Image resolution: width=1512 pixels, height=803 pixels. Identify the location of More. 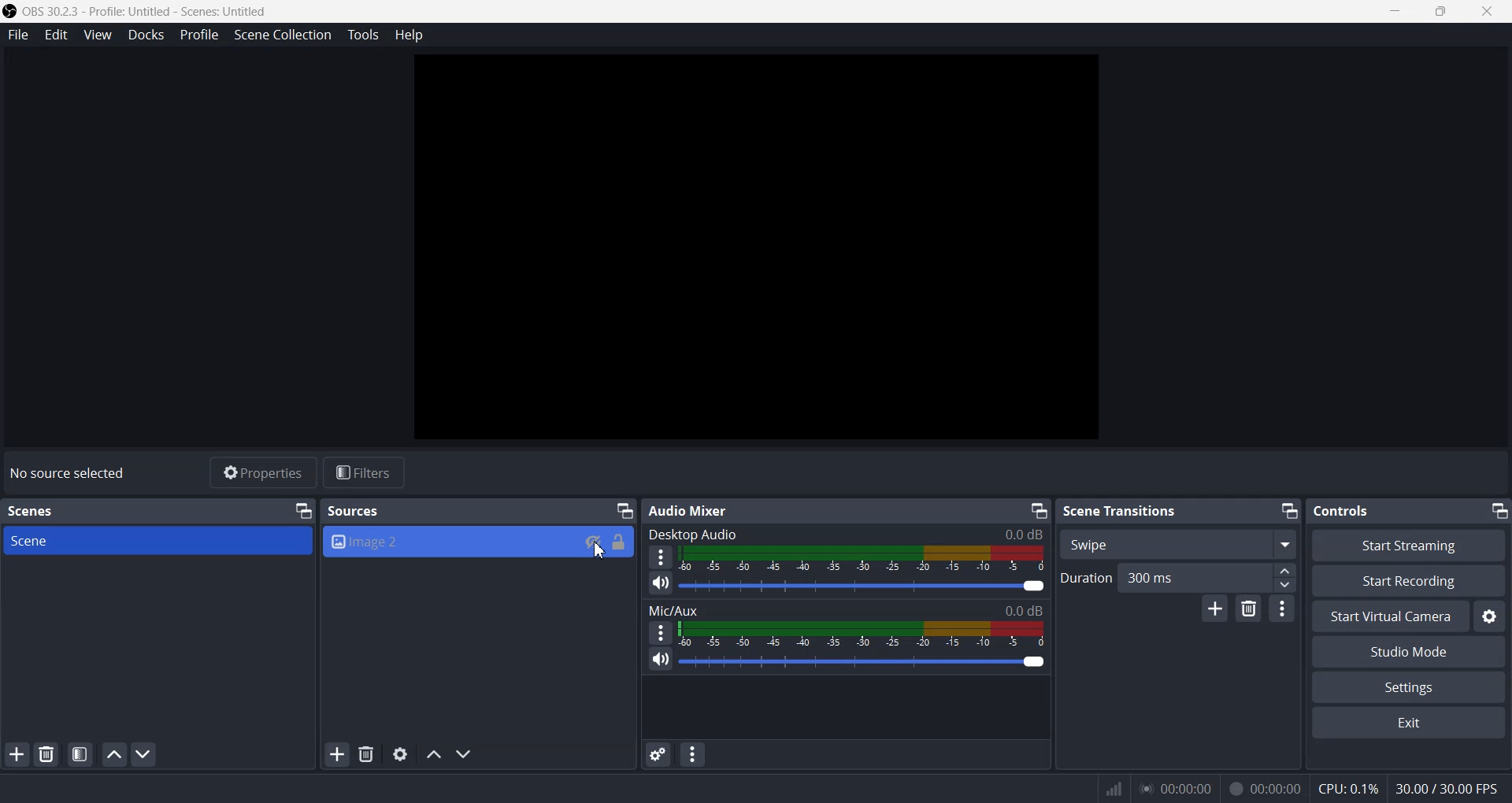
(659, 553).